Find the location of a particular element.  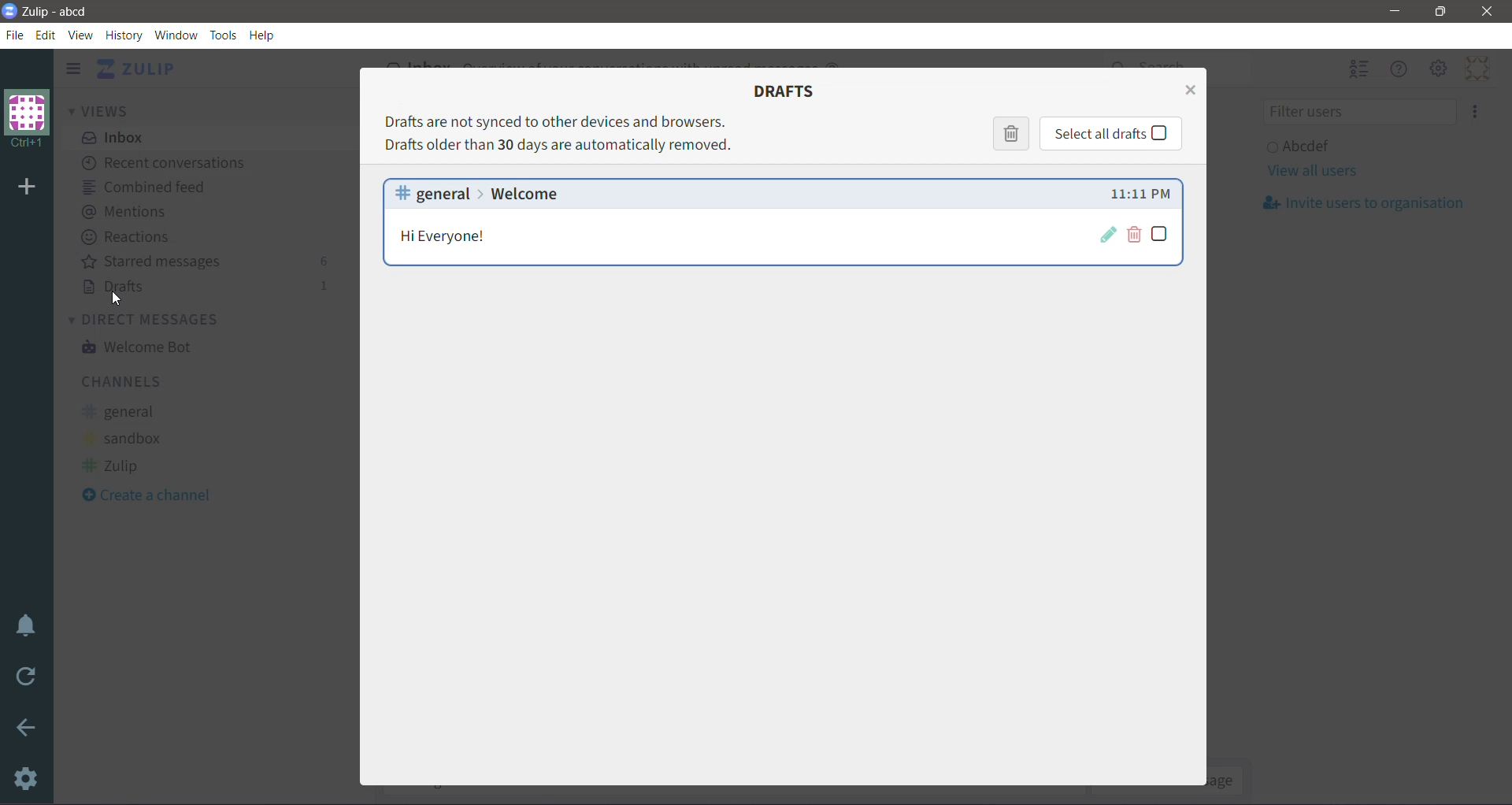

Application Logo is located at coordinates (9, 9).